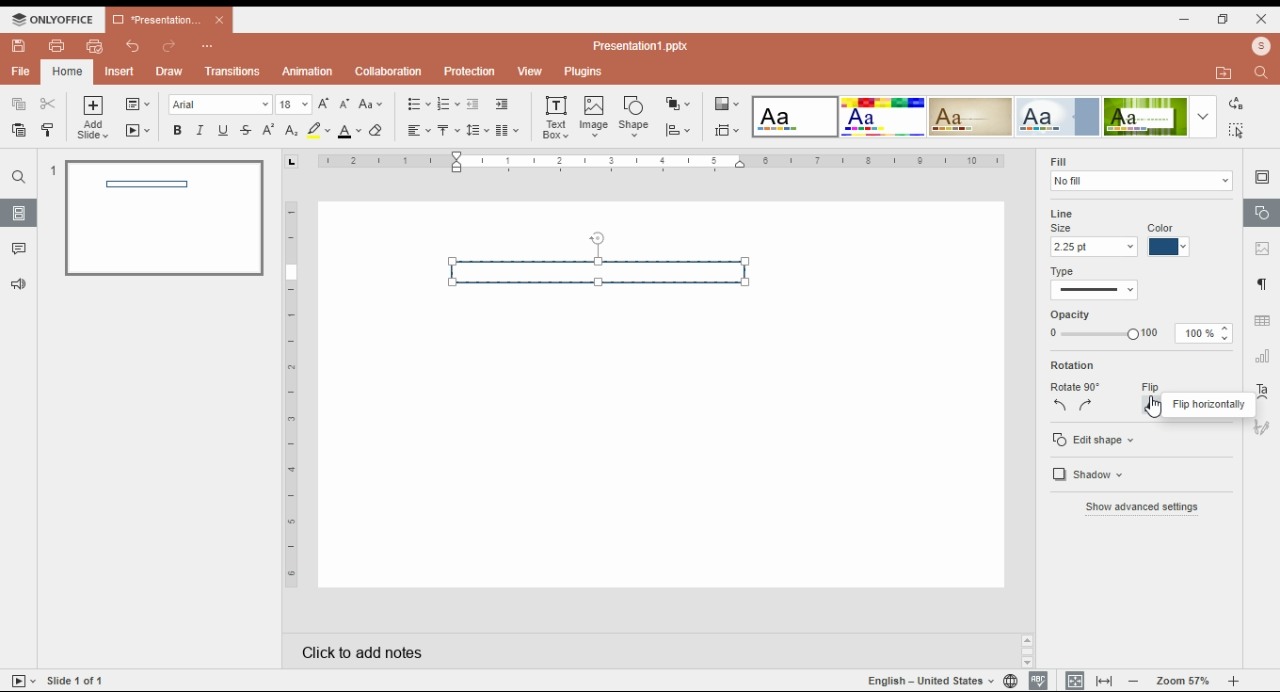  I want to click on rotate 90 counterclockwise, so click(1061, 404).